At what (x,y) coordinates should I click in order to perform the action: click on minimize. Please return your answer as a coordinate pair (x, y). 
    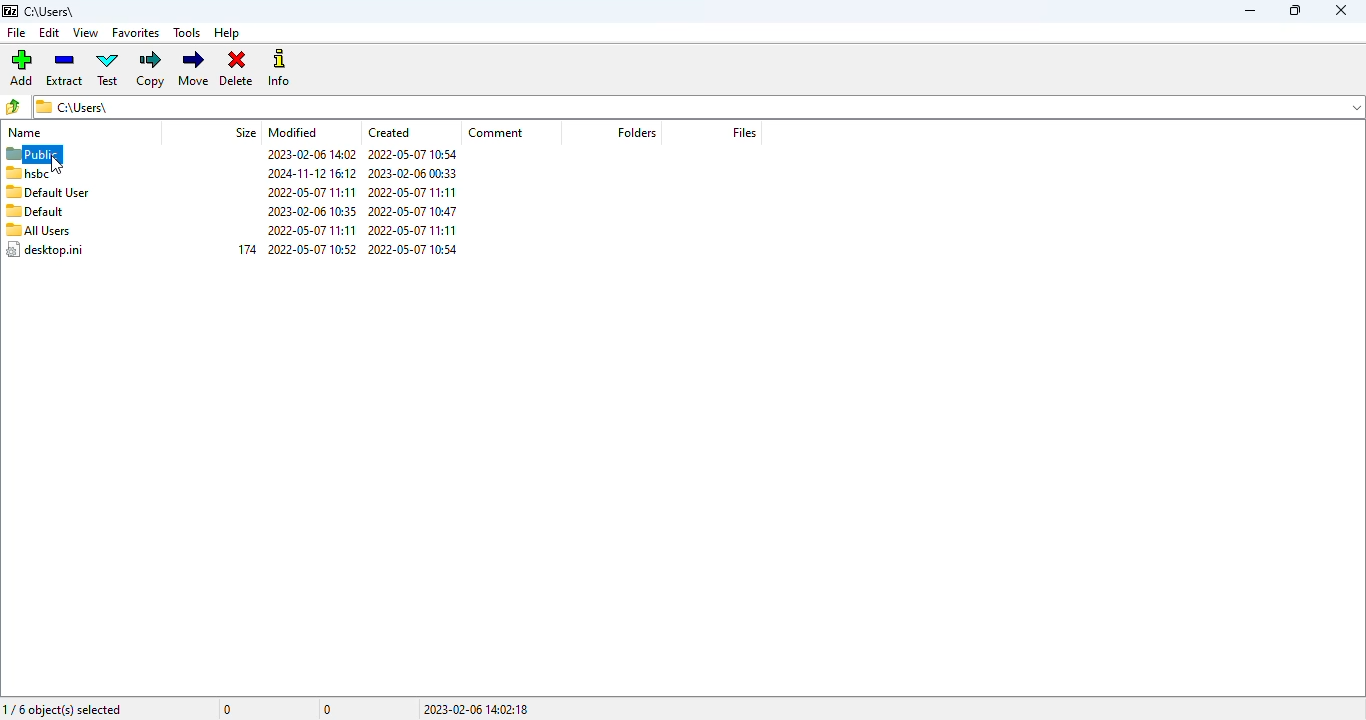
    Looking at the image, I should click on (1251, 11).